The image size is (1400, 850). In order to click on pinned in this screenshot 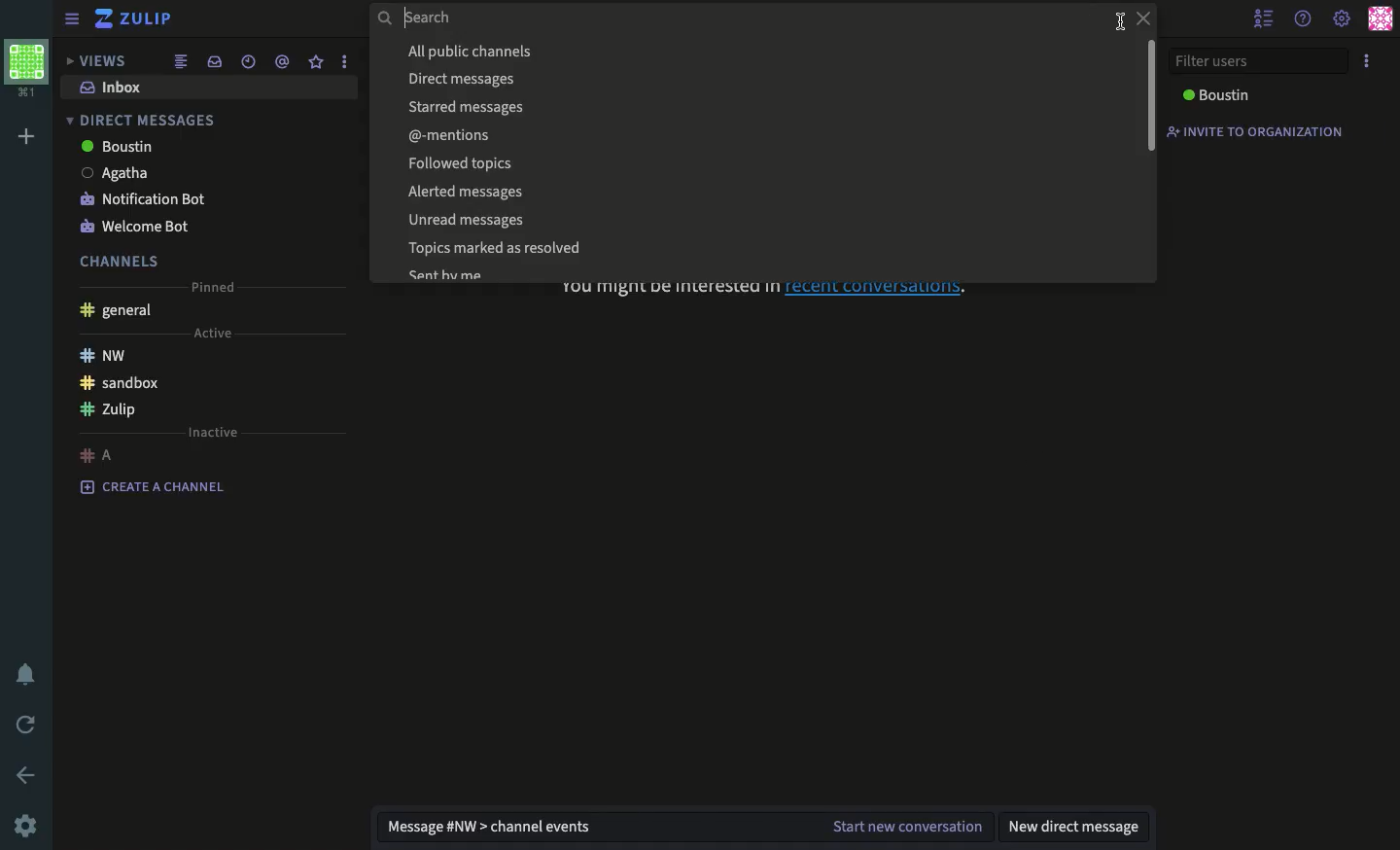, I will do `click(214, 287)`.